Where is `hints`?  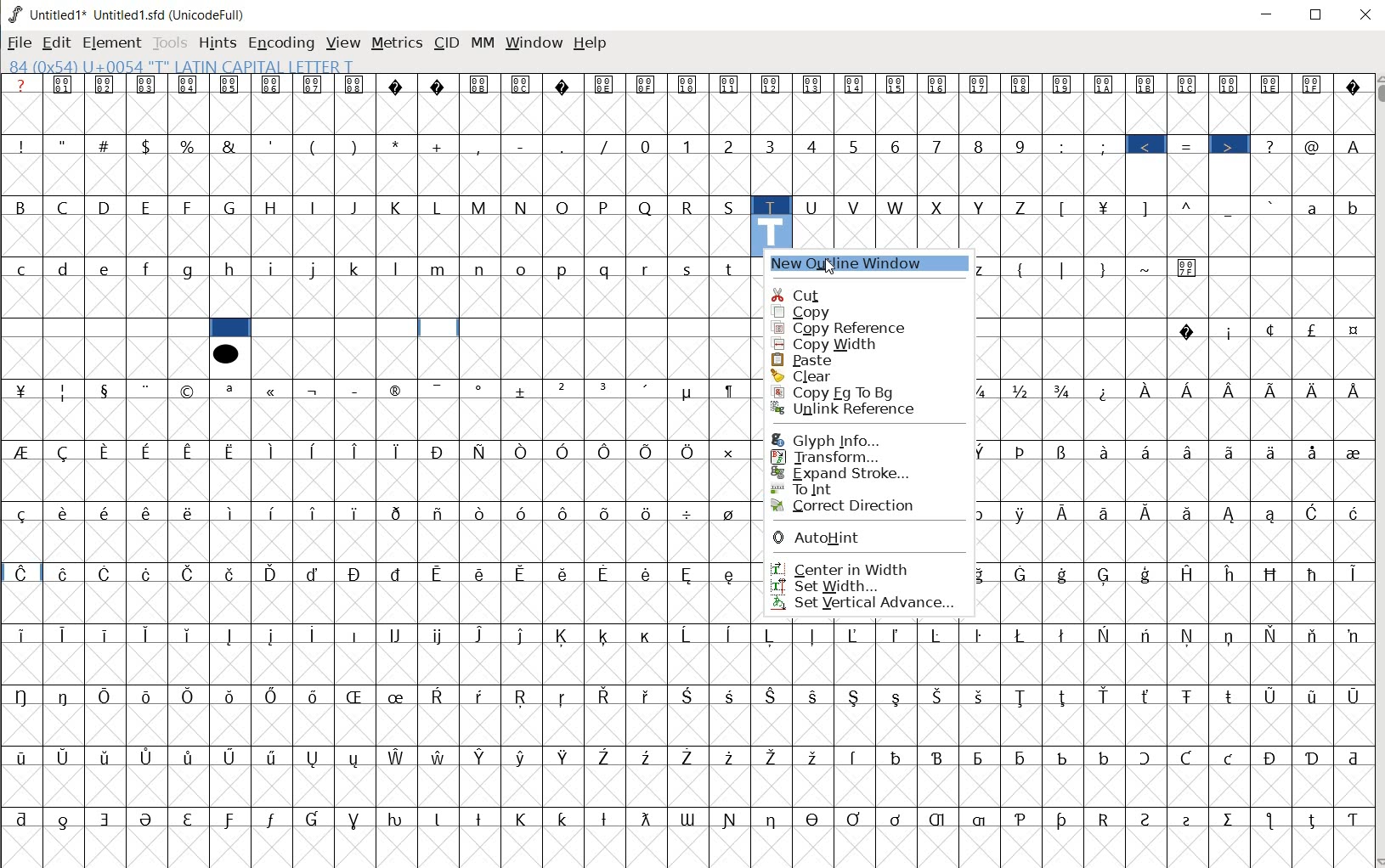 hints is located at coordinates (218, 42).